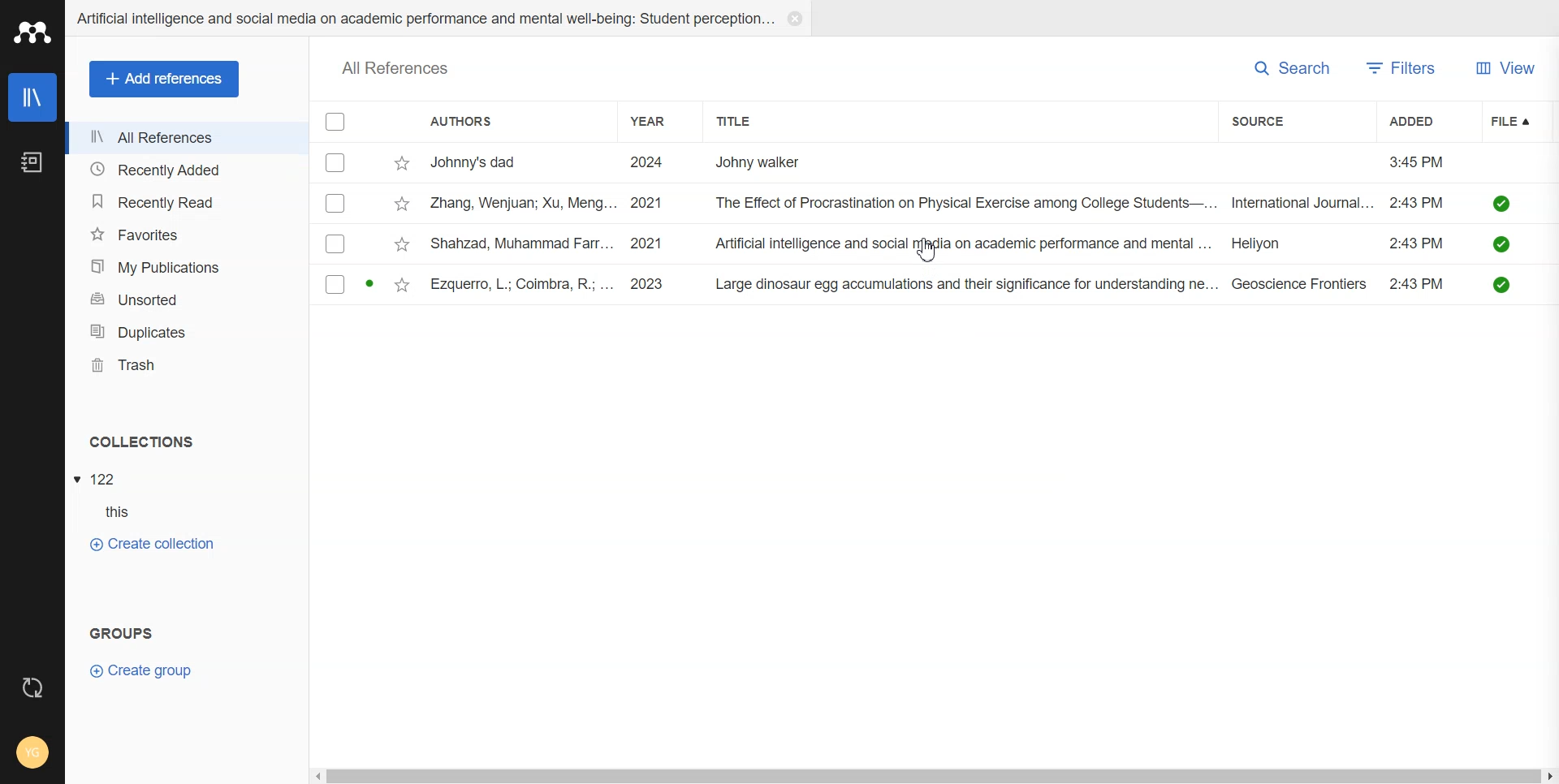  I want to click on Create Collection, so click(151, 543).